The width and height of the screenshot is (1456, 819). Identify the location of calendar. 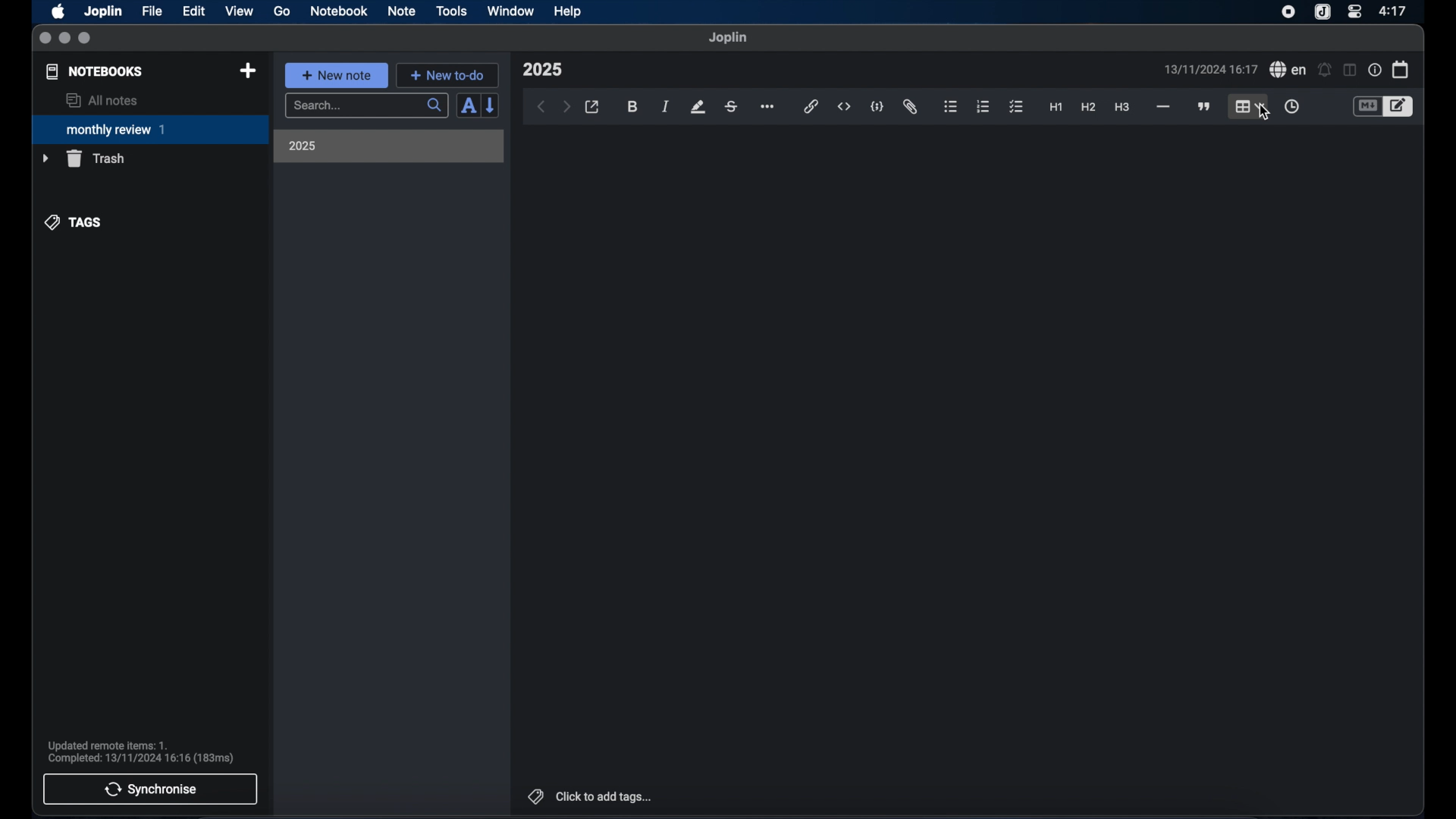
(1401, 69).